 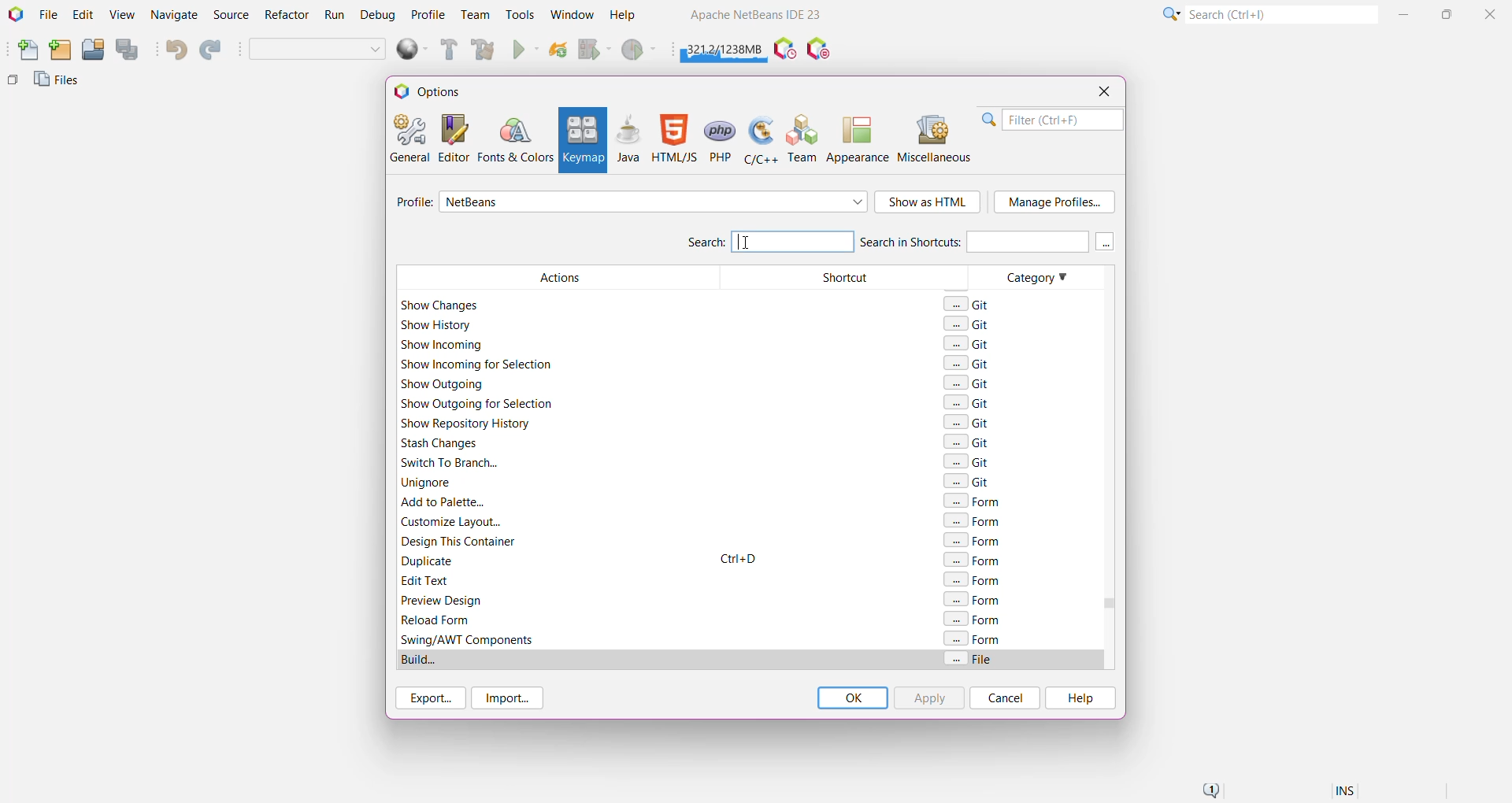 What do you see at coordinates (1492, 13) in the screenshot?
I see `Close` at bounding box center [1492, 13].